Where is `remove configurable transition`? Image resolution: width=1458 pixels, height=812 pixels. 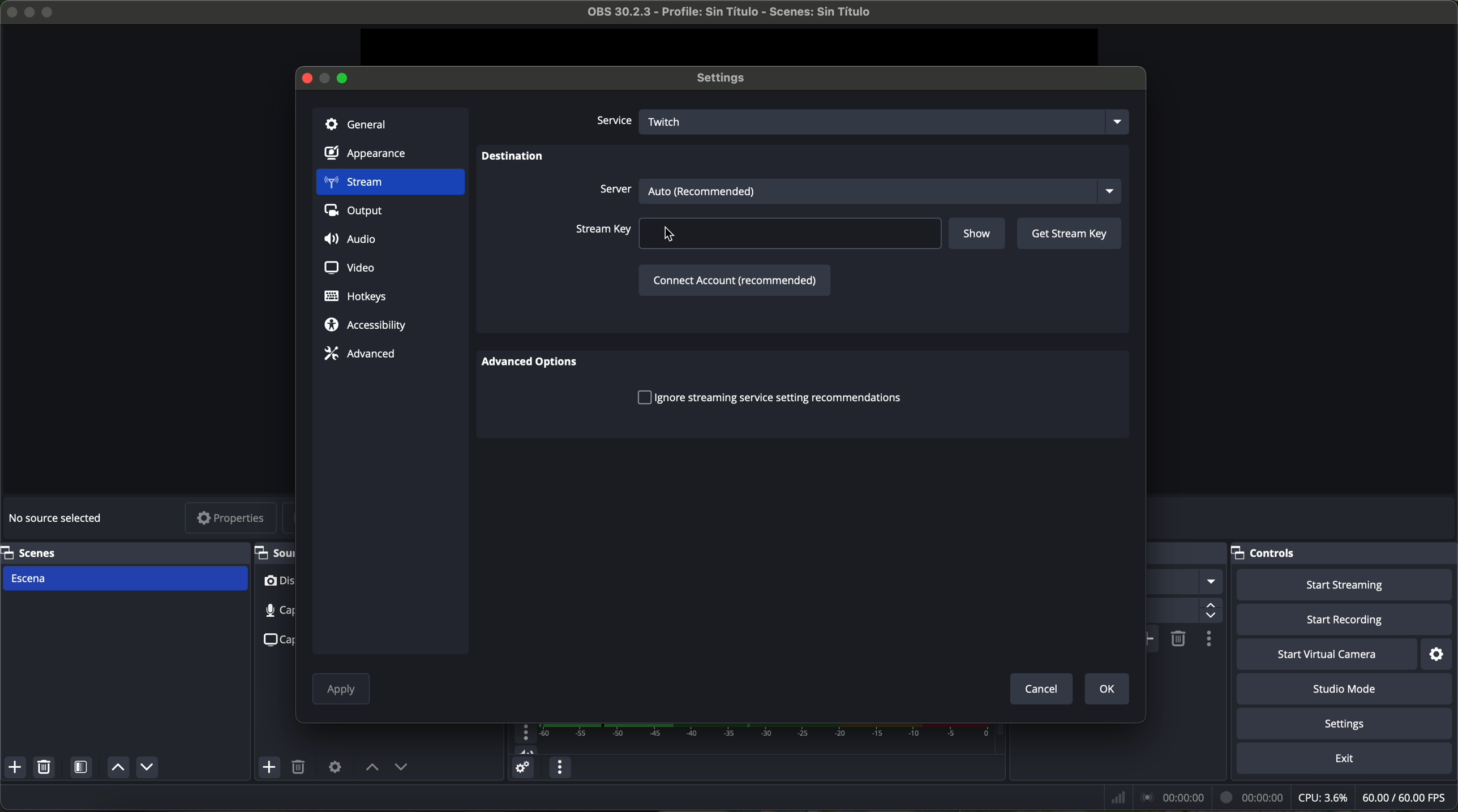
remove configurable transition is located at coordinates (1179, 638).